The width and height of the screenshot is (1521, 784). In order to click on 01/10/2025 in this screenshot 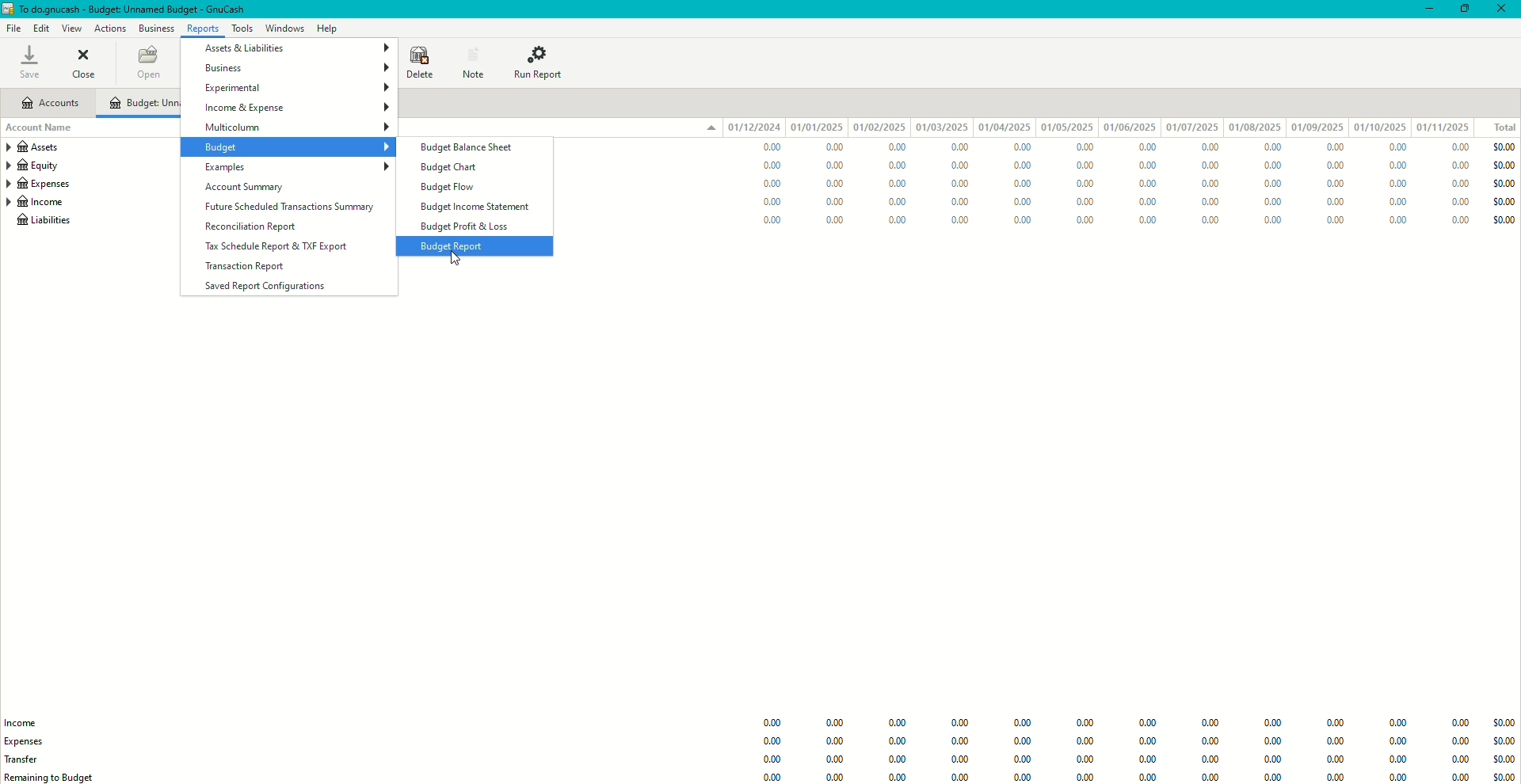, I will do `click(1379, 127)`.